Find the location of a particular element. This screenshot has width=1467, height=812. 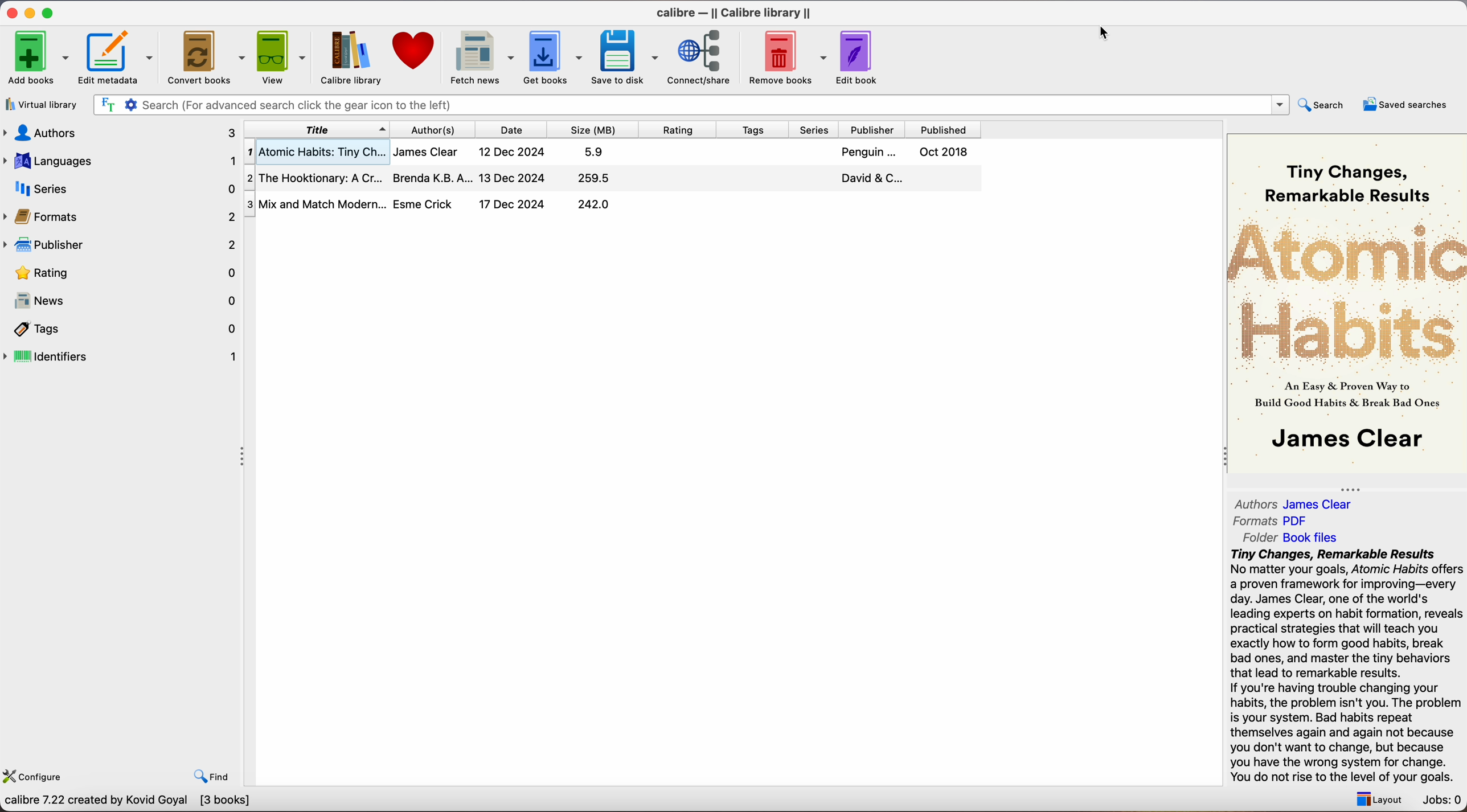

size is located at coordinates (595, 130).